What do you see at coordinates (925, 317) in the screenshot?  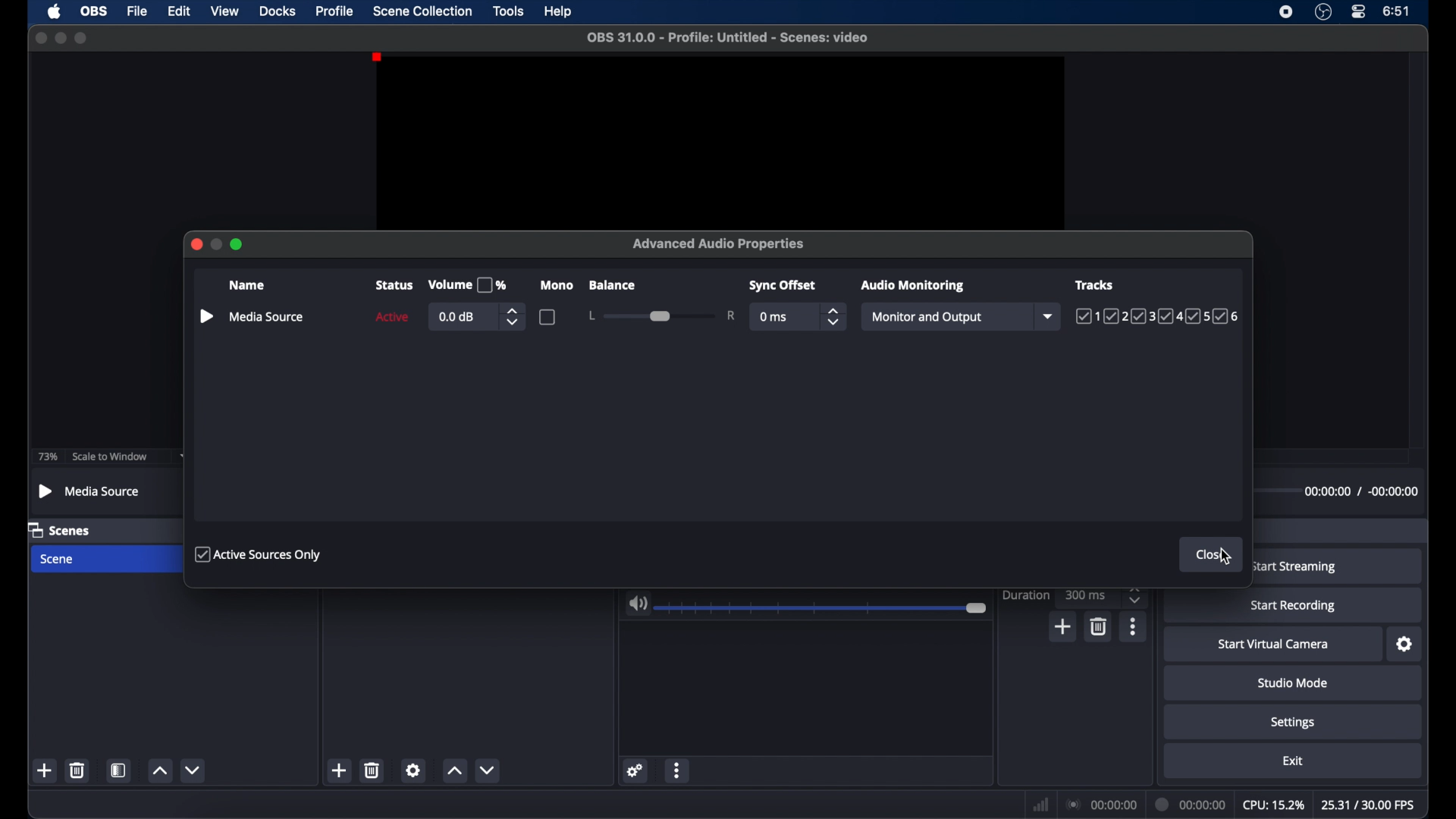 I see `monitor and output` at bounding box center [925, 317].